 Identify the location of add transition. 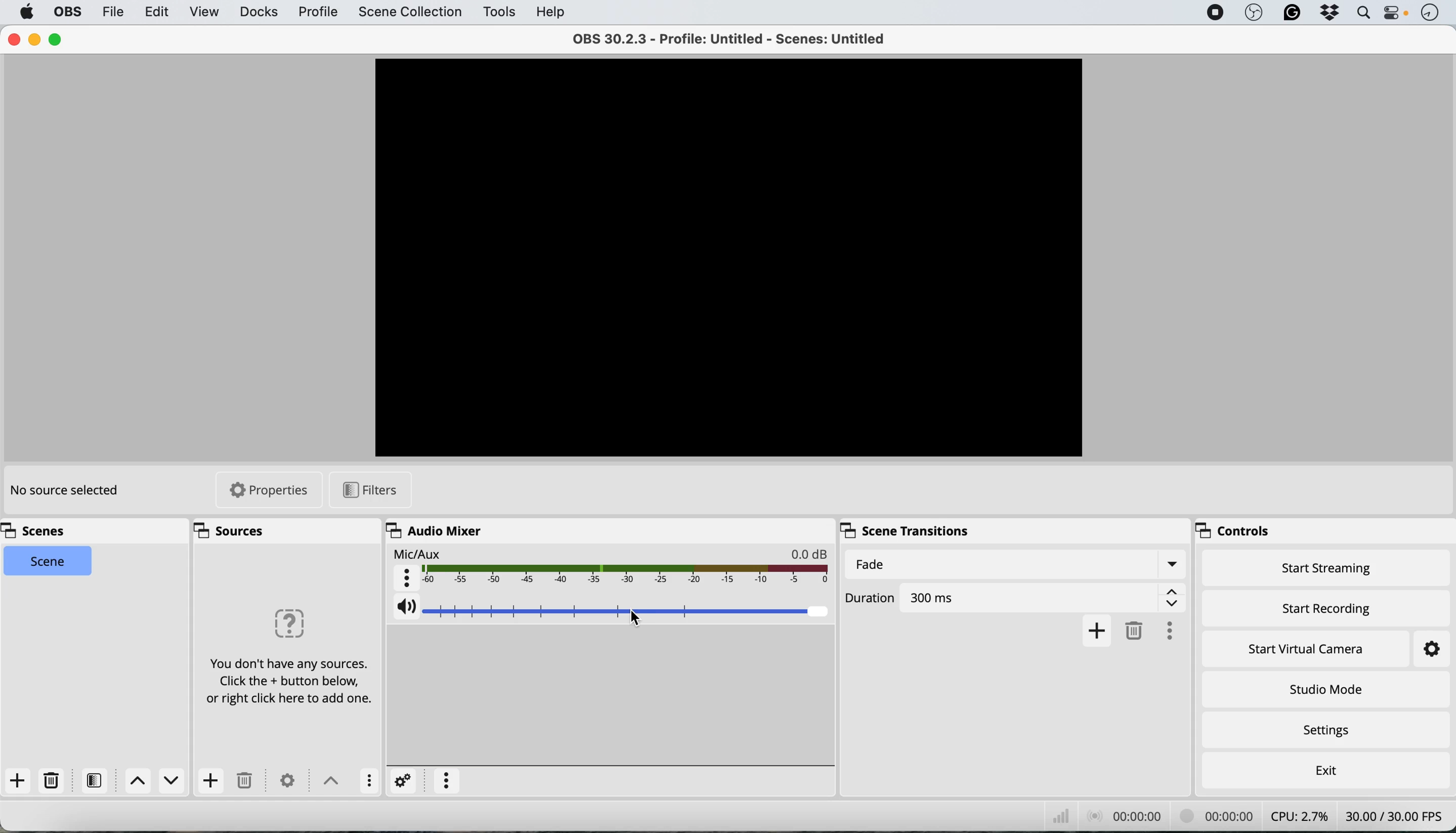
(1095, 630).